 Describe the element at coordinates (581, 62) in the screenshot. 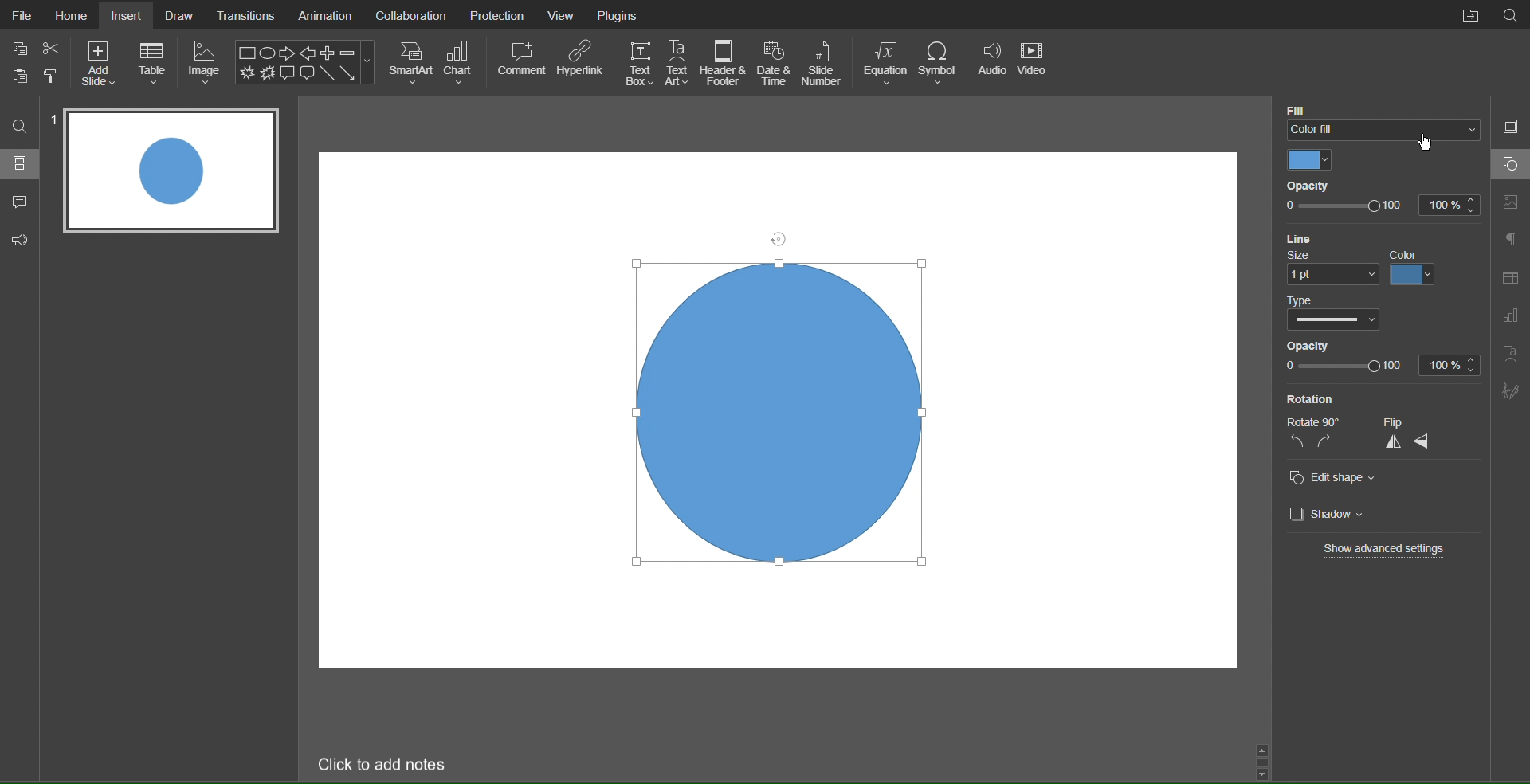

I see `Hyperlink` at that location.